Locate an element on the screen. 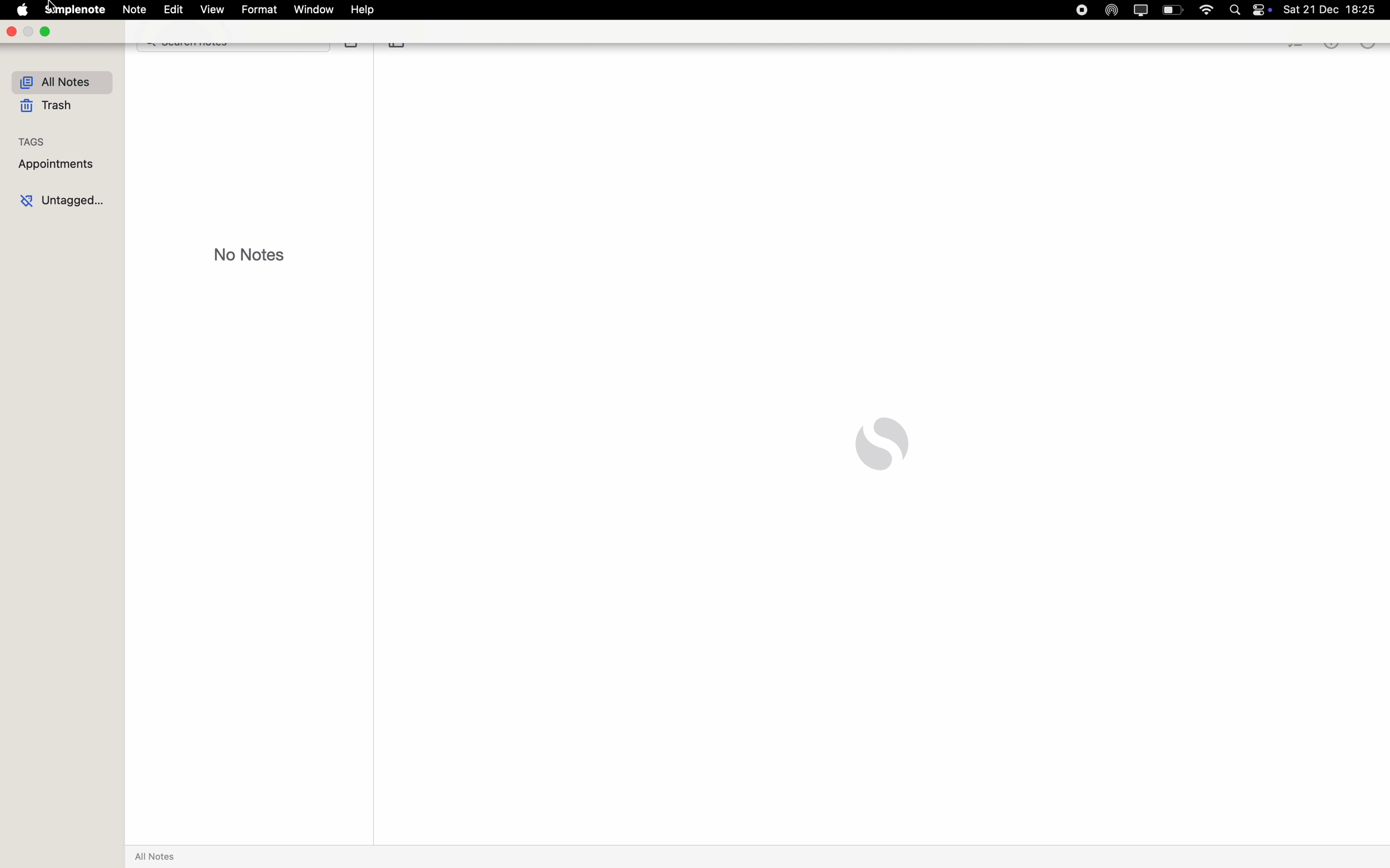 The width and height of the screenshot is (1390, 868). all notes is located at coordinates (61, 82).